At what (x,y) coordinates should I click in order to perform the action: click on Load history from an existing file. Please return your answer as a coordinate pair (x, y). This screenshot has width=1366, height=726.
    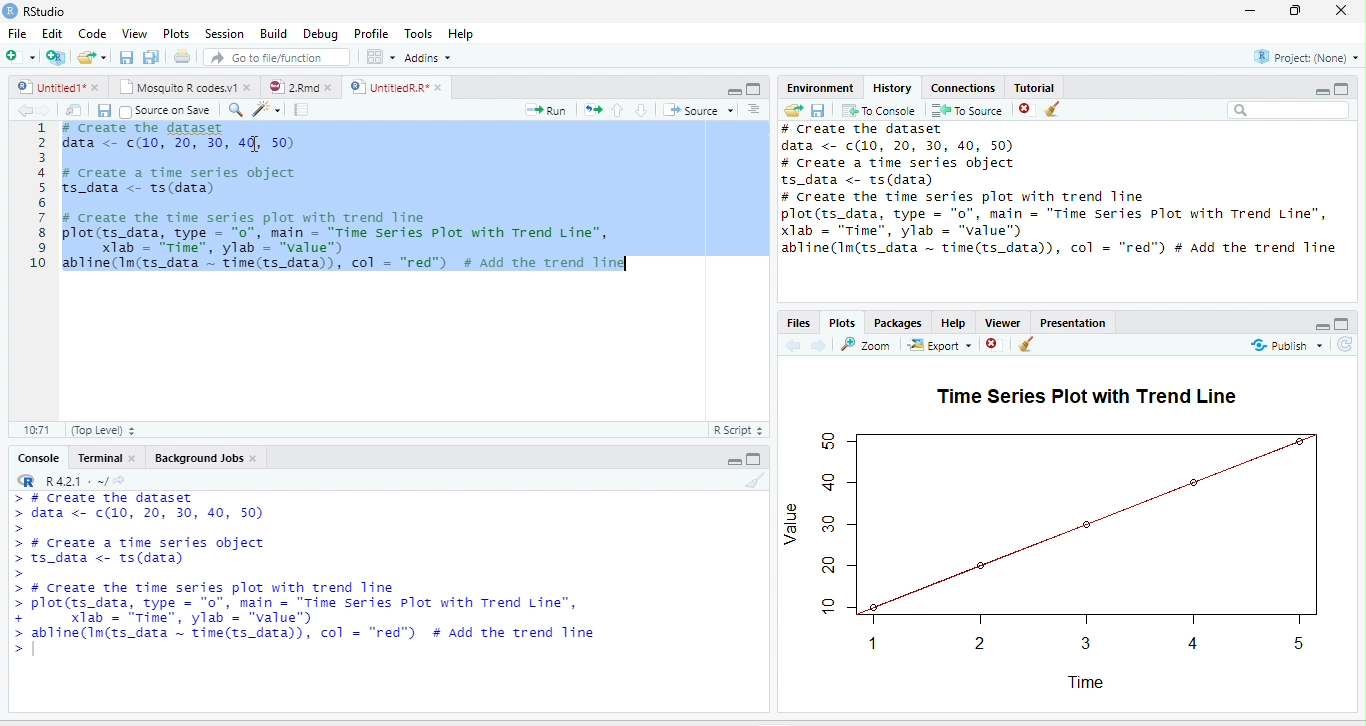
    Looking at the image, I should click on (793, 110).